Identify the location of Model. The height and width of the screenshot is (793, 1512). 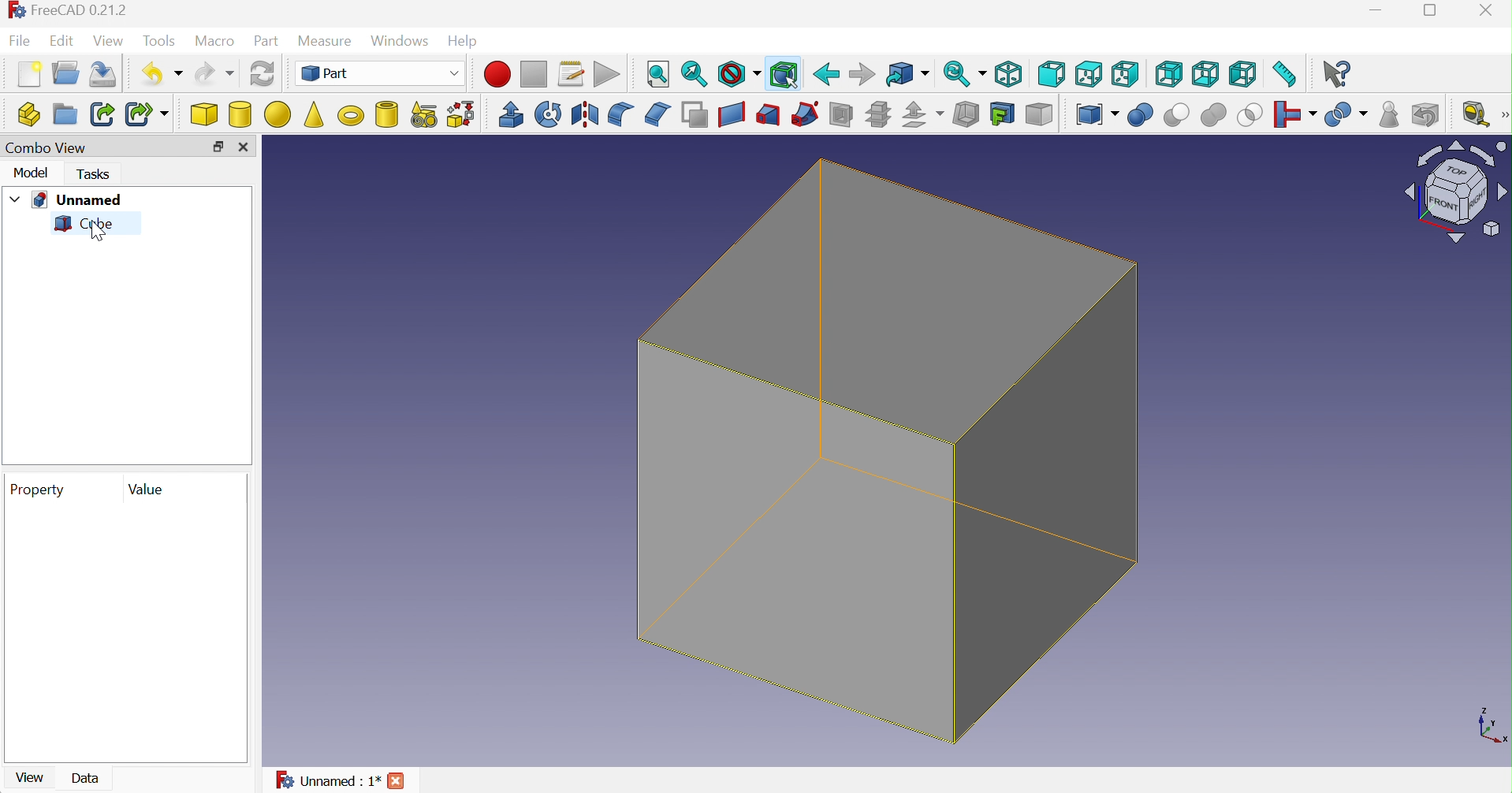
(28, 172).